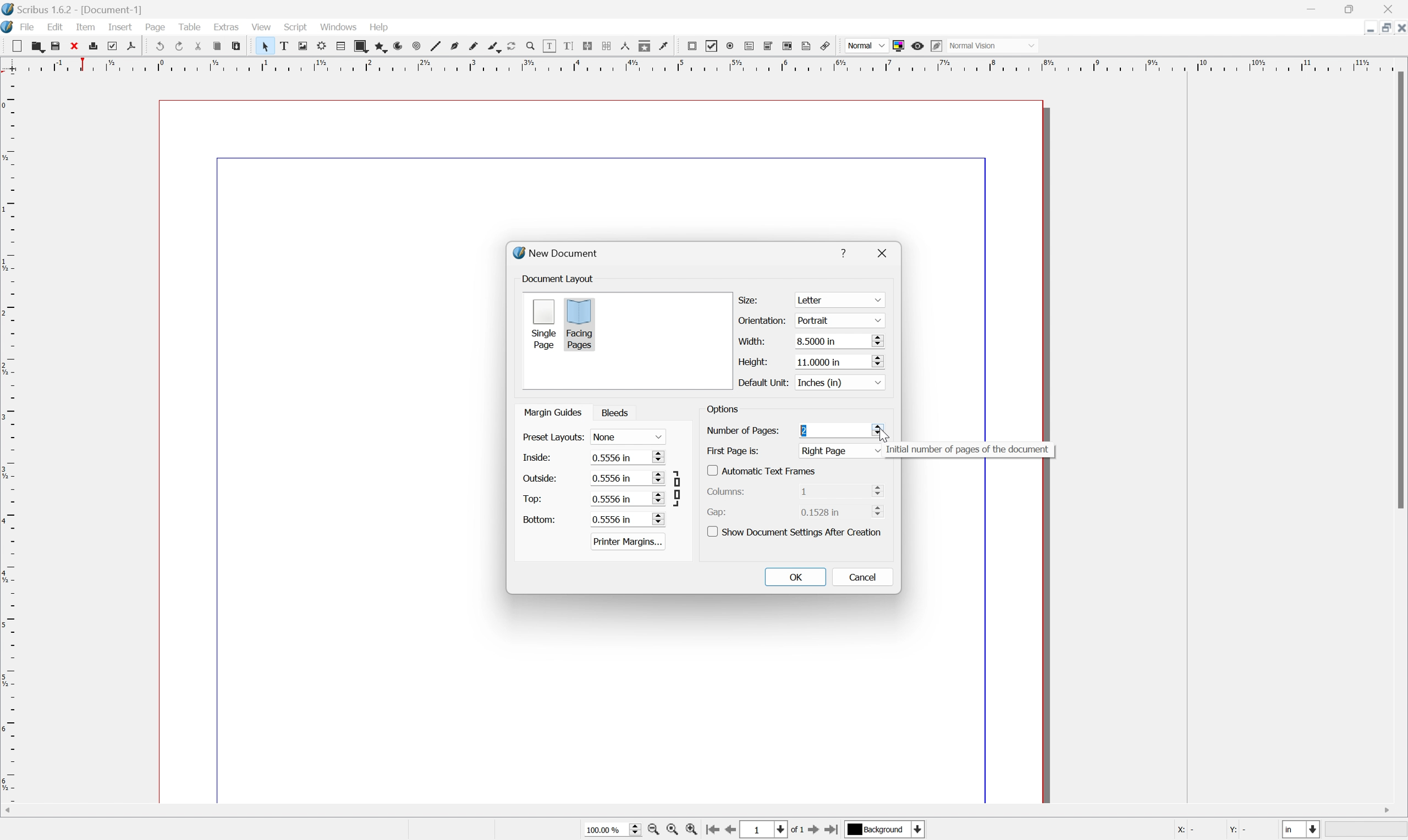 The height and width of the screenshot is (840, 1408). Describe the element at coordinates (968, 451) in the screenshot. I see `initial number of pages of the document` at that location.